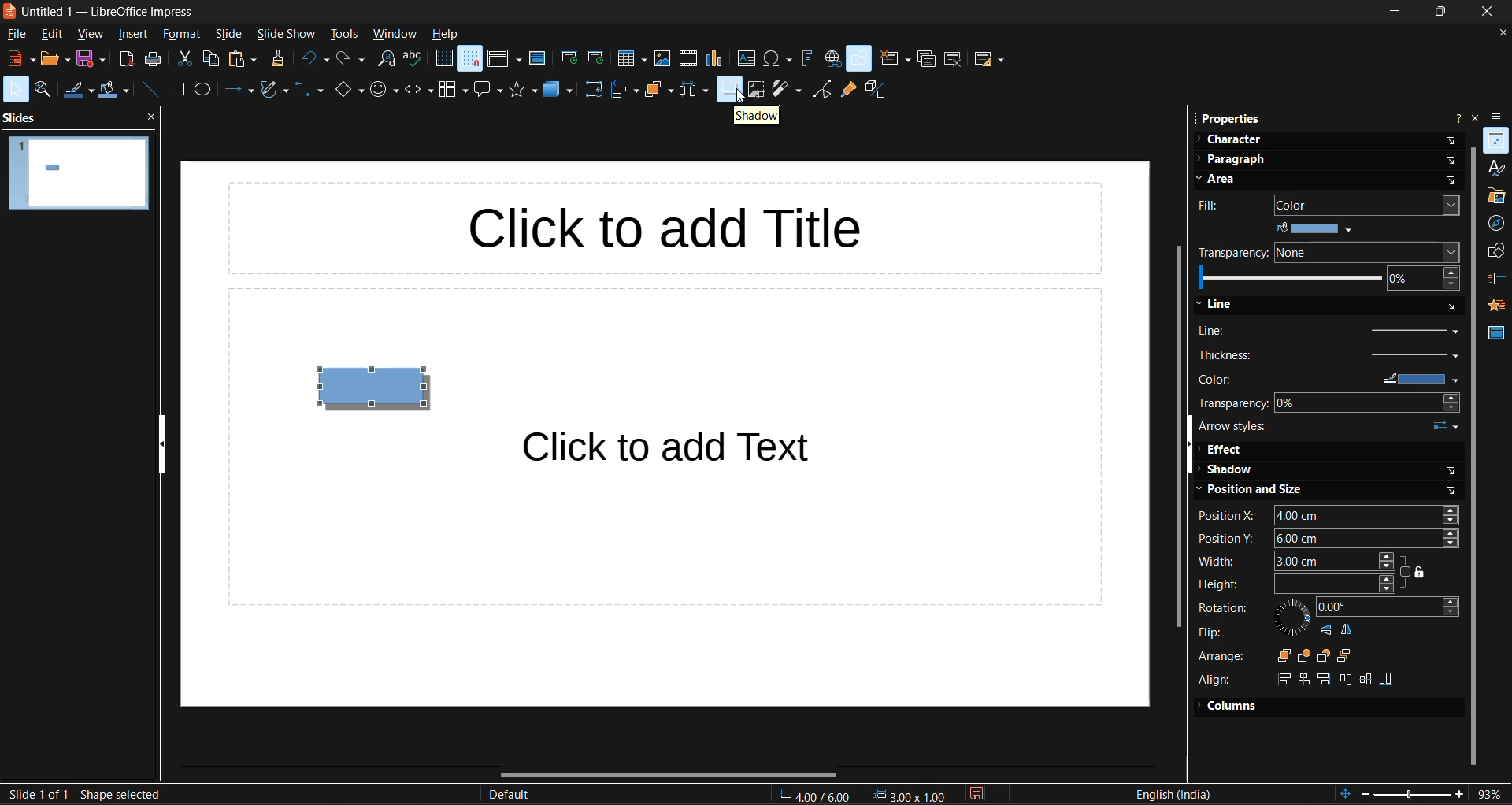 The width and height of the screenshot is (1512, 805). Describe the element at coordinates (1455, 181) in the screenshot. I see `more options` at that location.